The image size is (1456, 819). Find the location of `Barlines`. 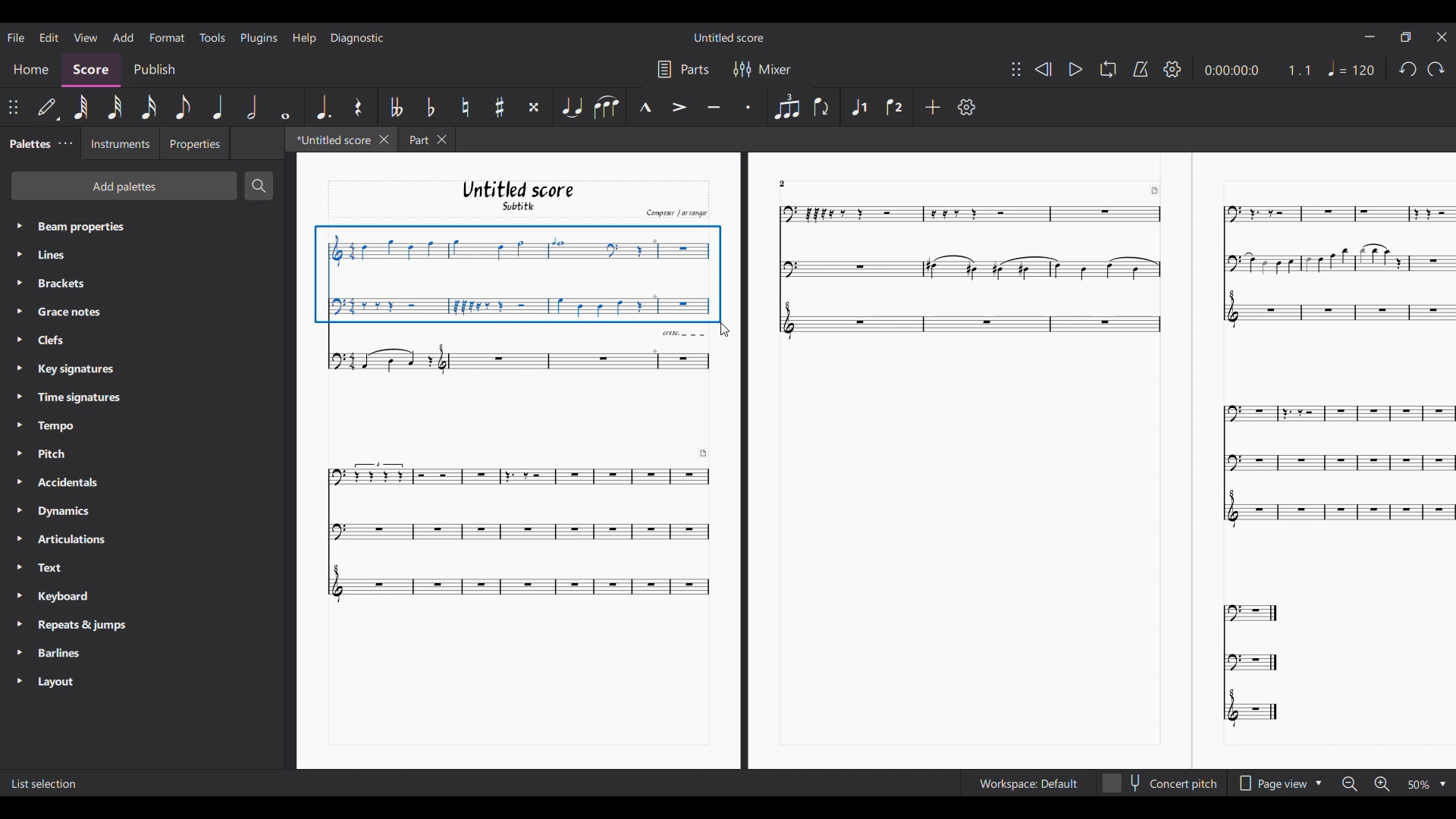

Barlines is located at coordinates (62, 654).